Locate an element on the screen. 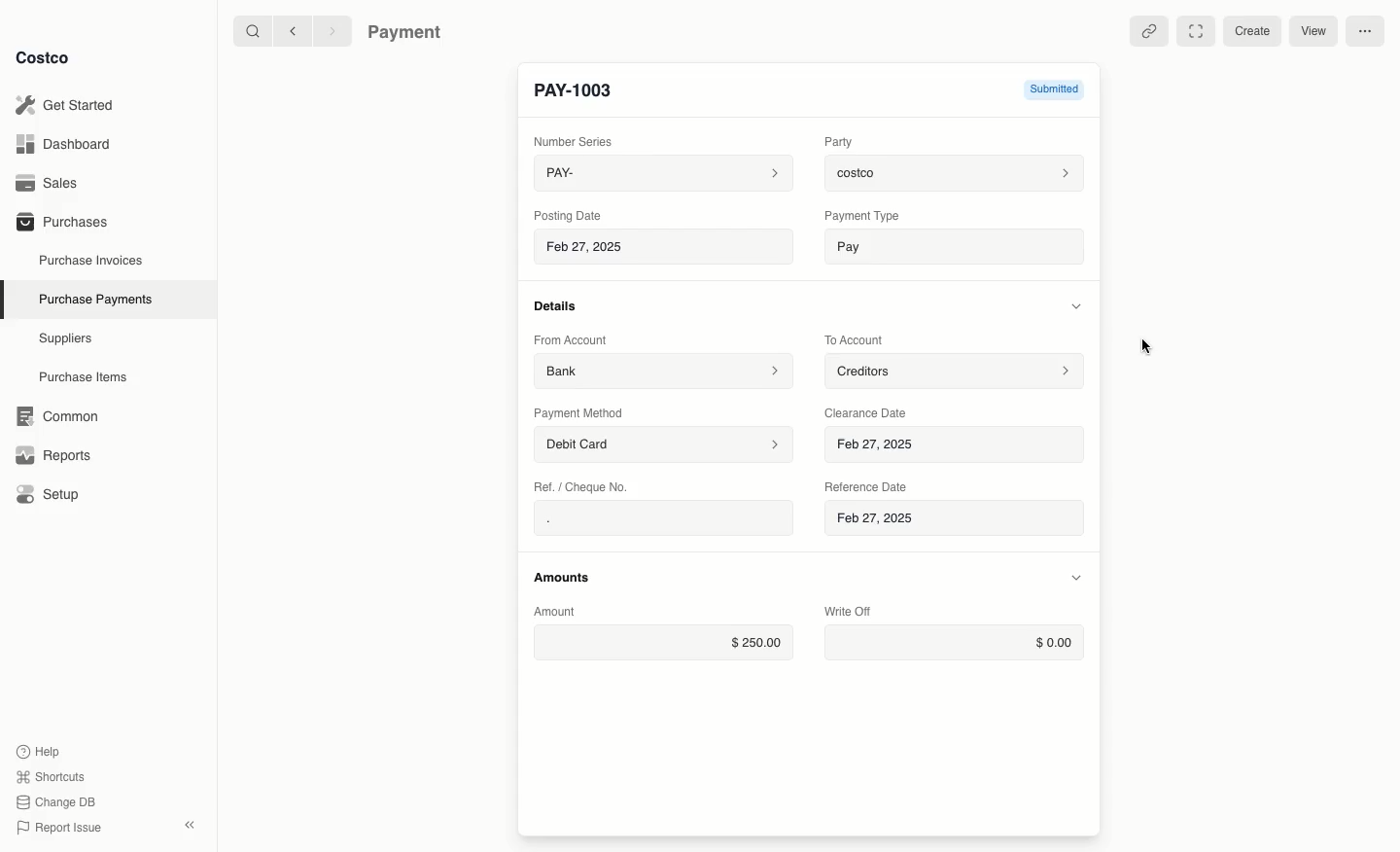 The image size is (1400, 852). View is located at coordinates (1315, 29).